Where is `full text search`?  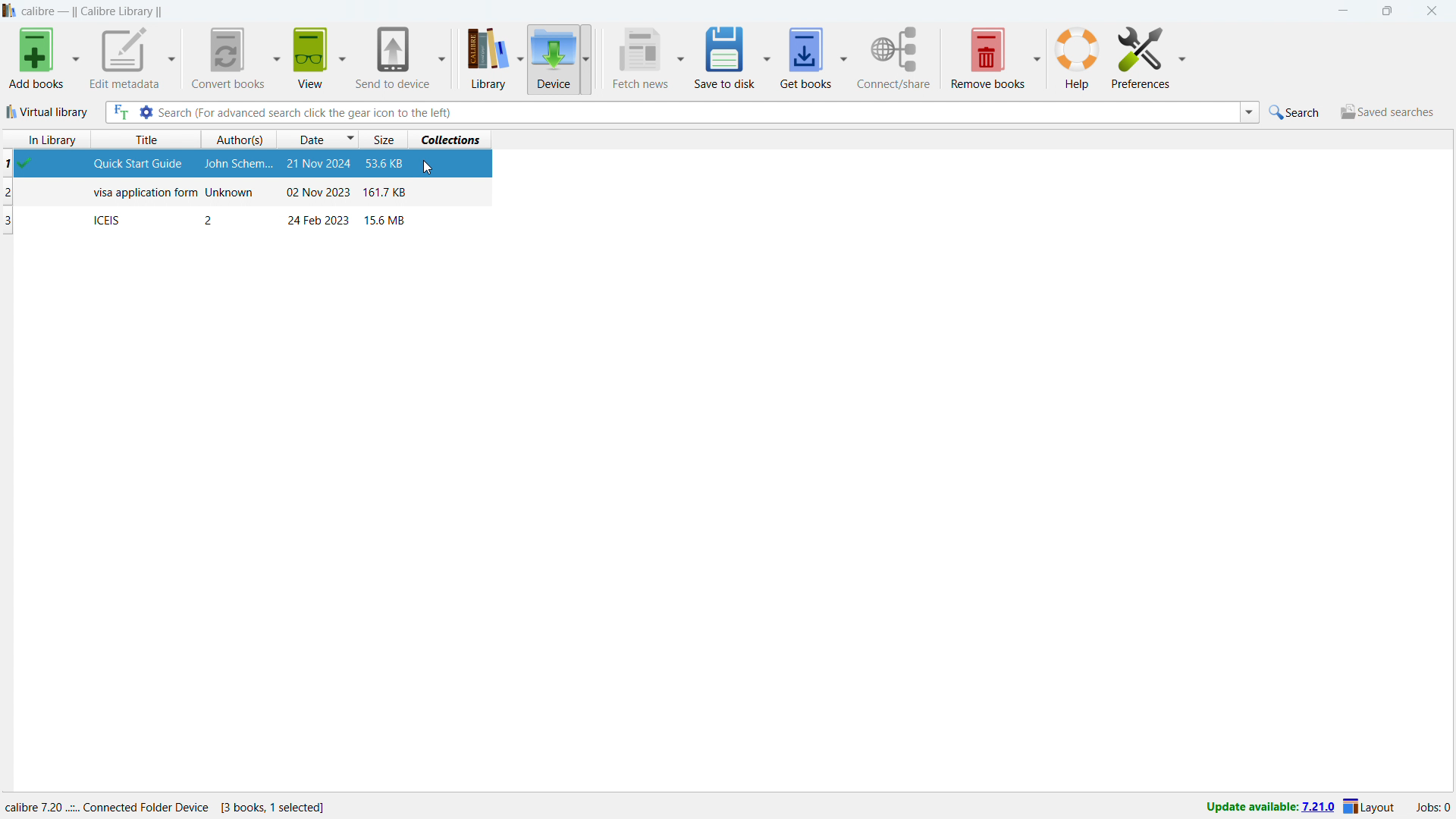
full text search is located at coordinates (119, 113).